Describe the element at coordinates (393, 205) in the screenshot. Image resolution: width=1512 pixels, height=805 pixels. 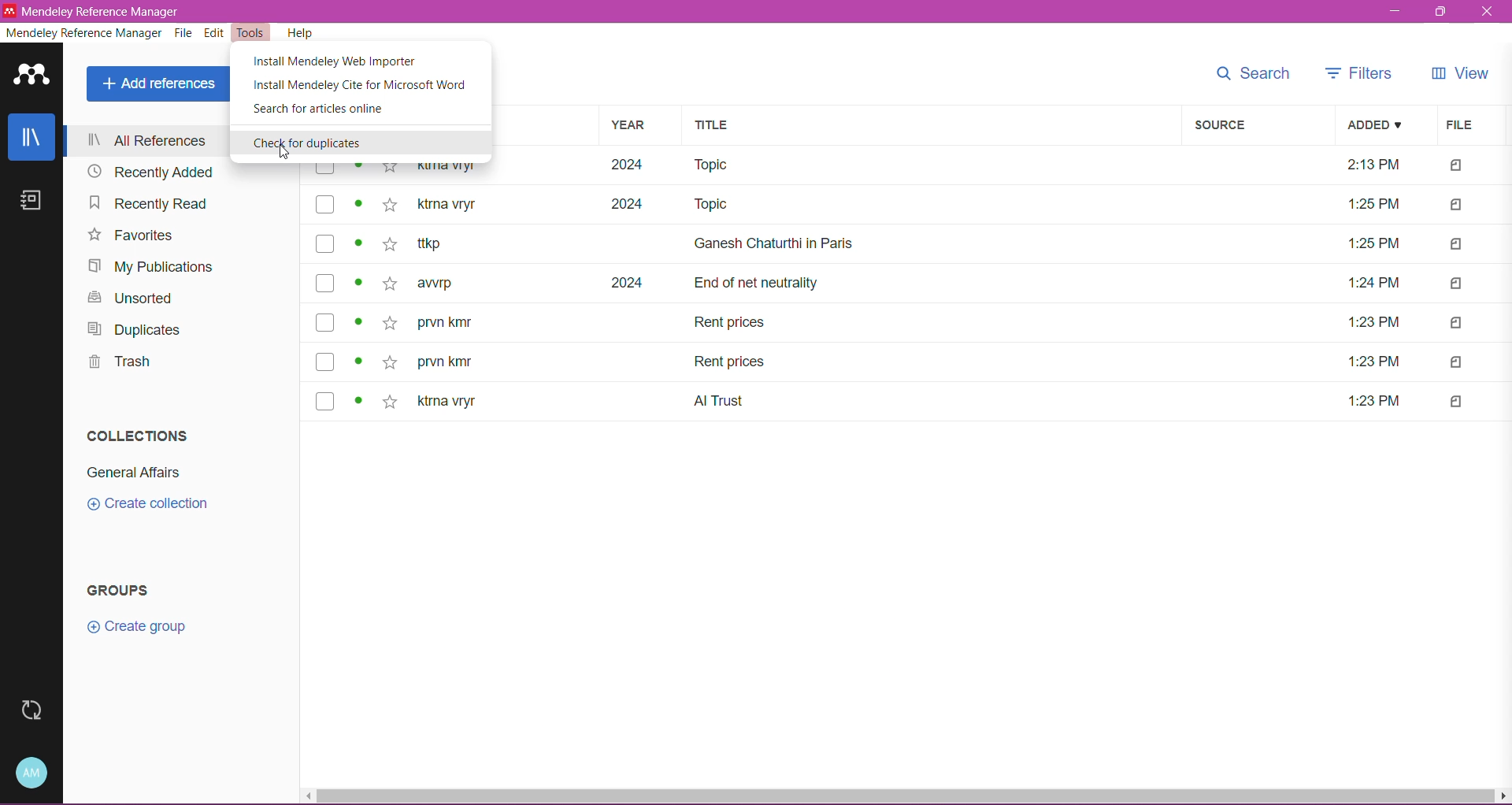
I see `favourite` at that location.